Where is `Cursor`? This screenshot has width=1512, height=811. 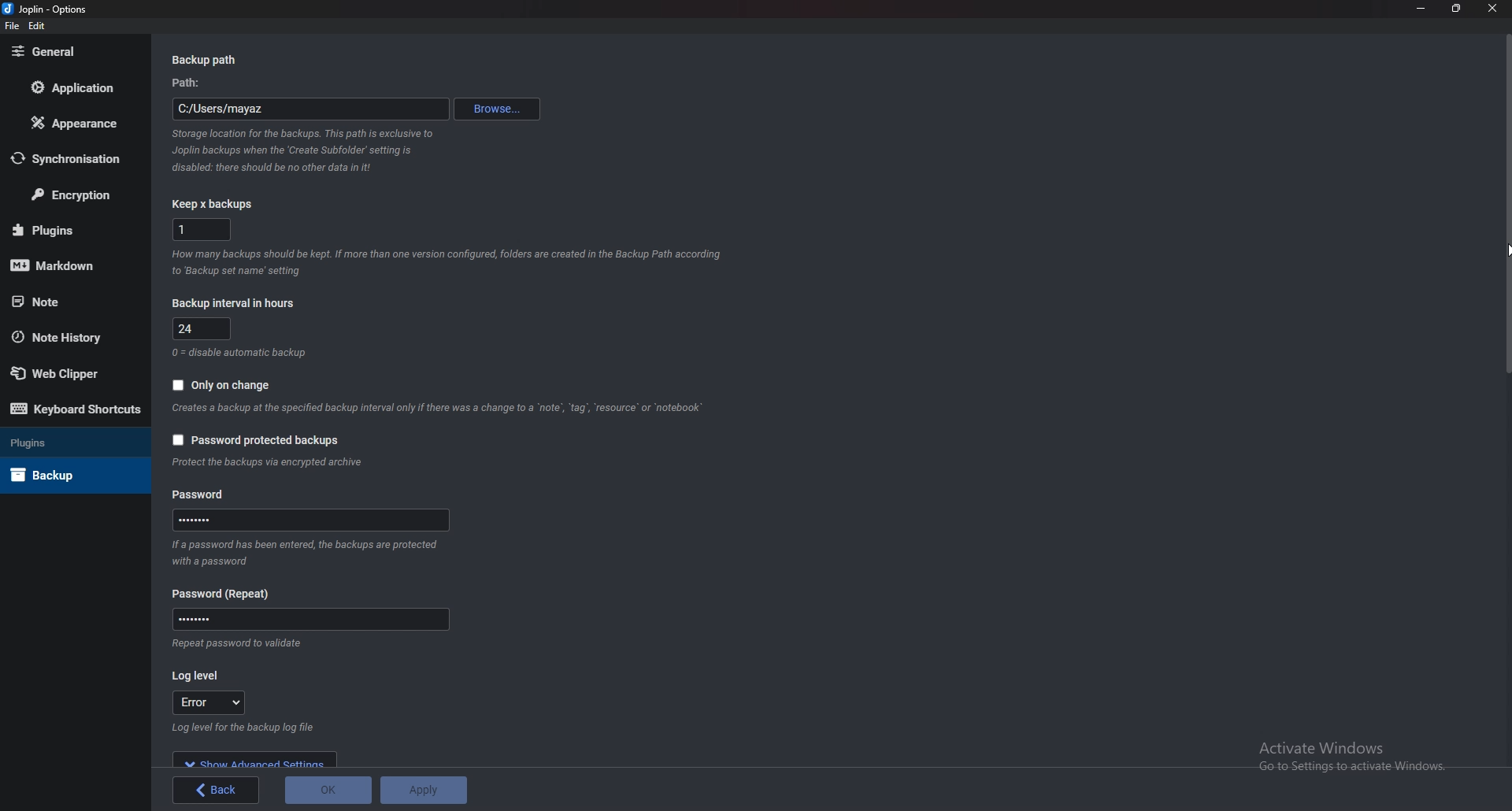
Cursor is located at coordinates (1507, 250).